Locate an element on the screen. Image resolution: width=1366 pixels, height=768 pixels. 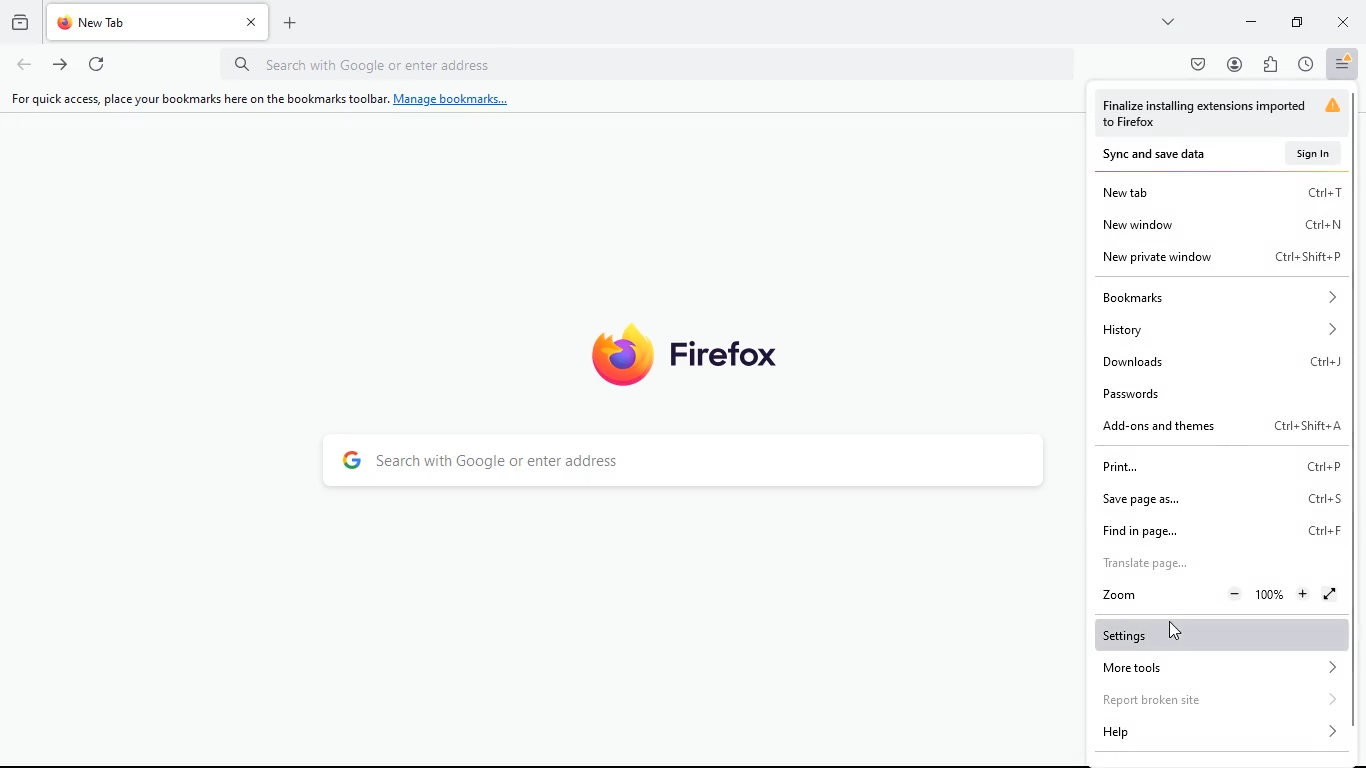
history is located at coordinates (1305, 65).